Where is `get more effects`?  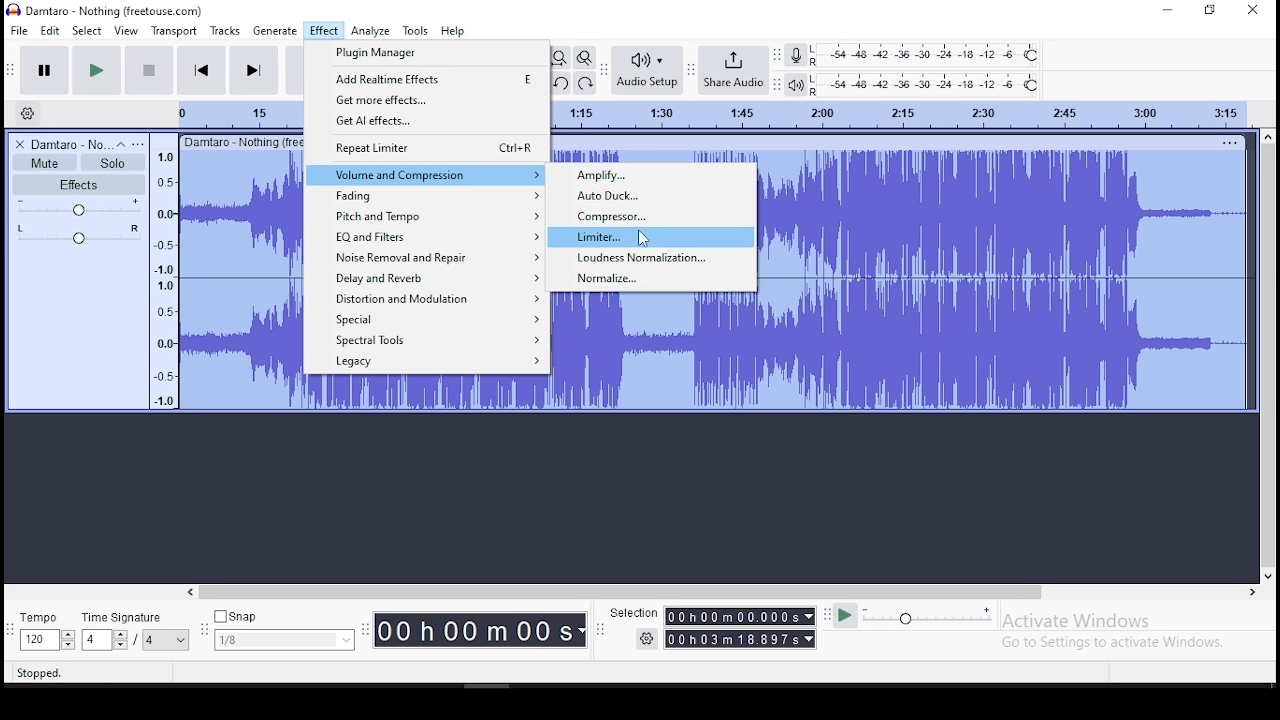
get more effects is located at coordinates (427, 99).